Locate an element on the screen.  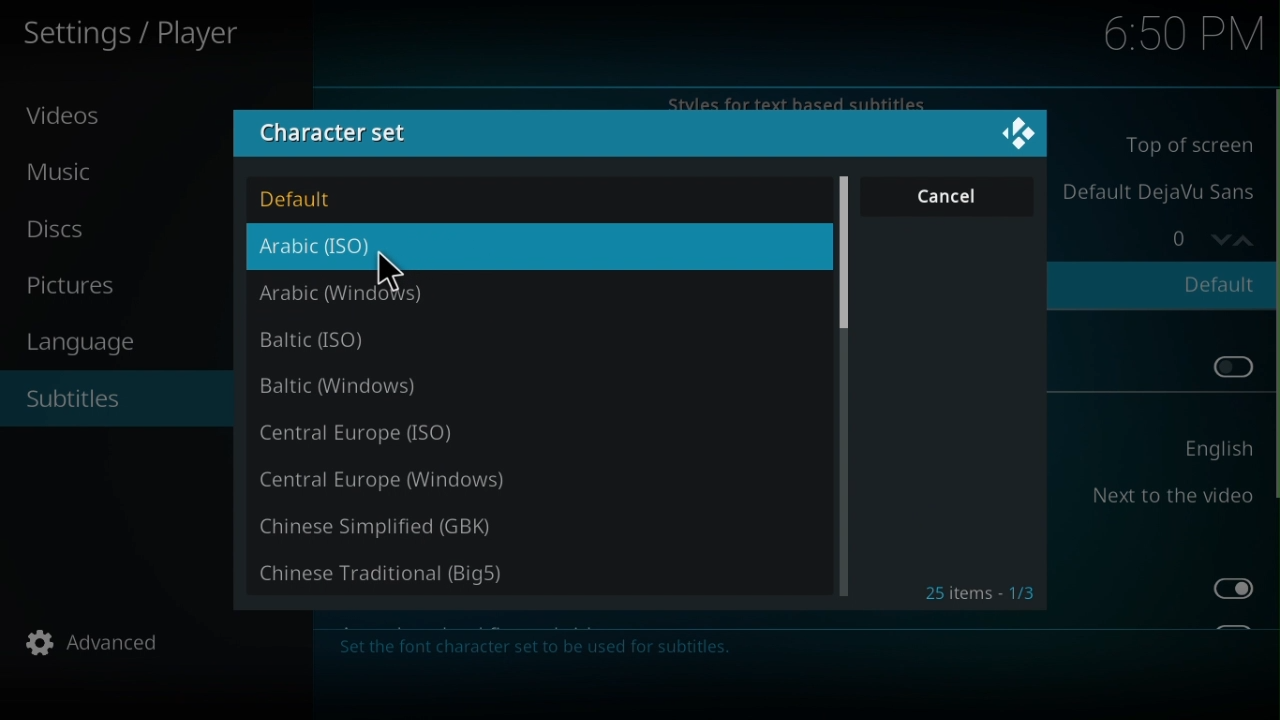
Styles for text based is located at coordinates (792, 104).